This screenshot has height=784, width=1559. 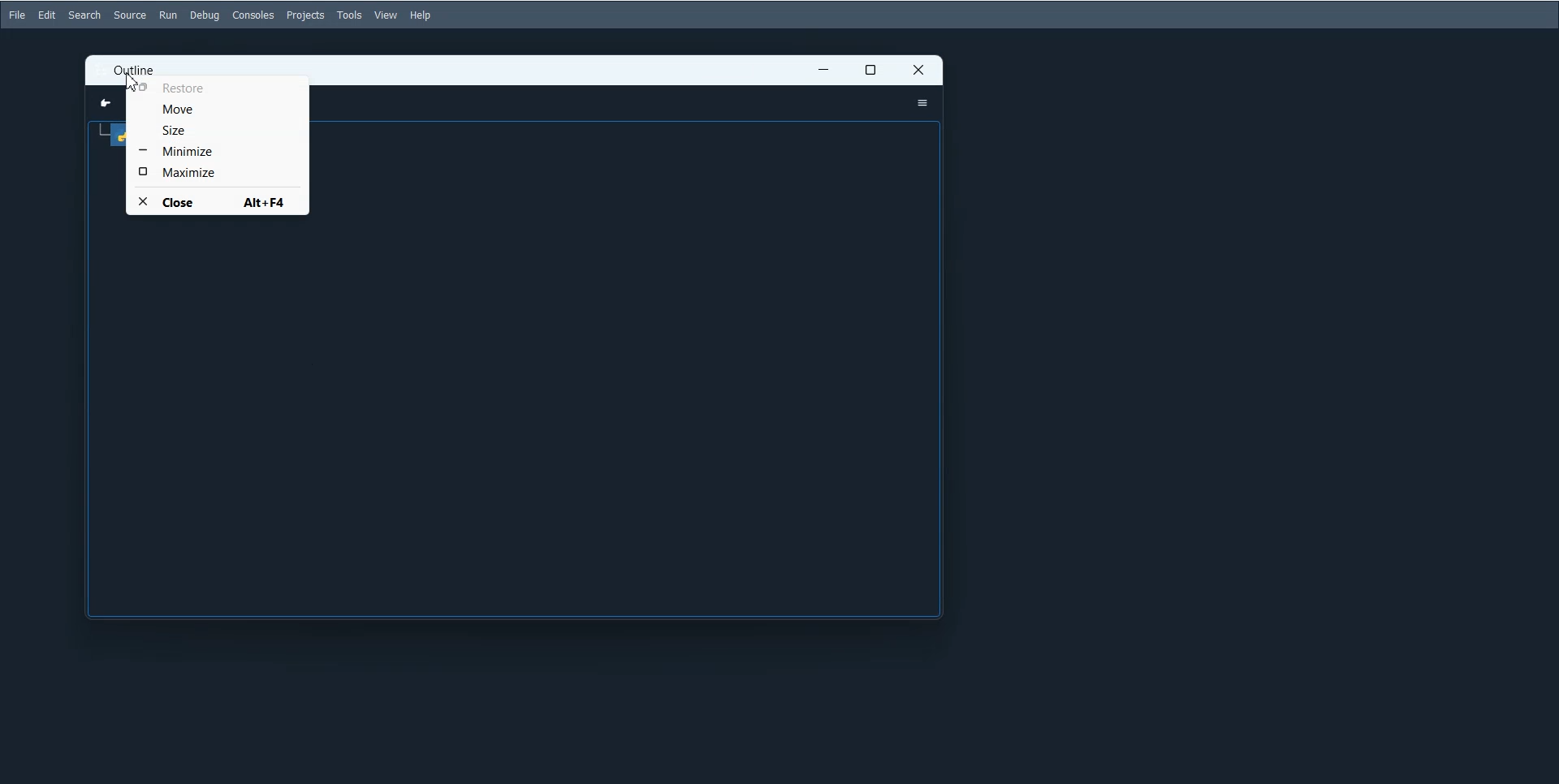 What do you see at coordinates (387, 15) in the screenshot?
I see `View` at bounding box center [387, 15].